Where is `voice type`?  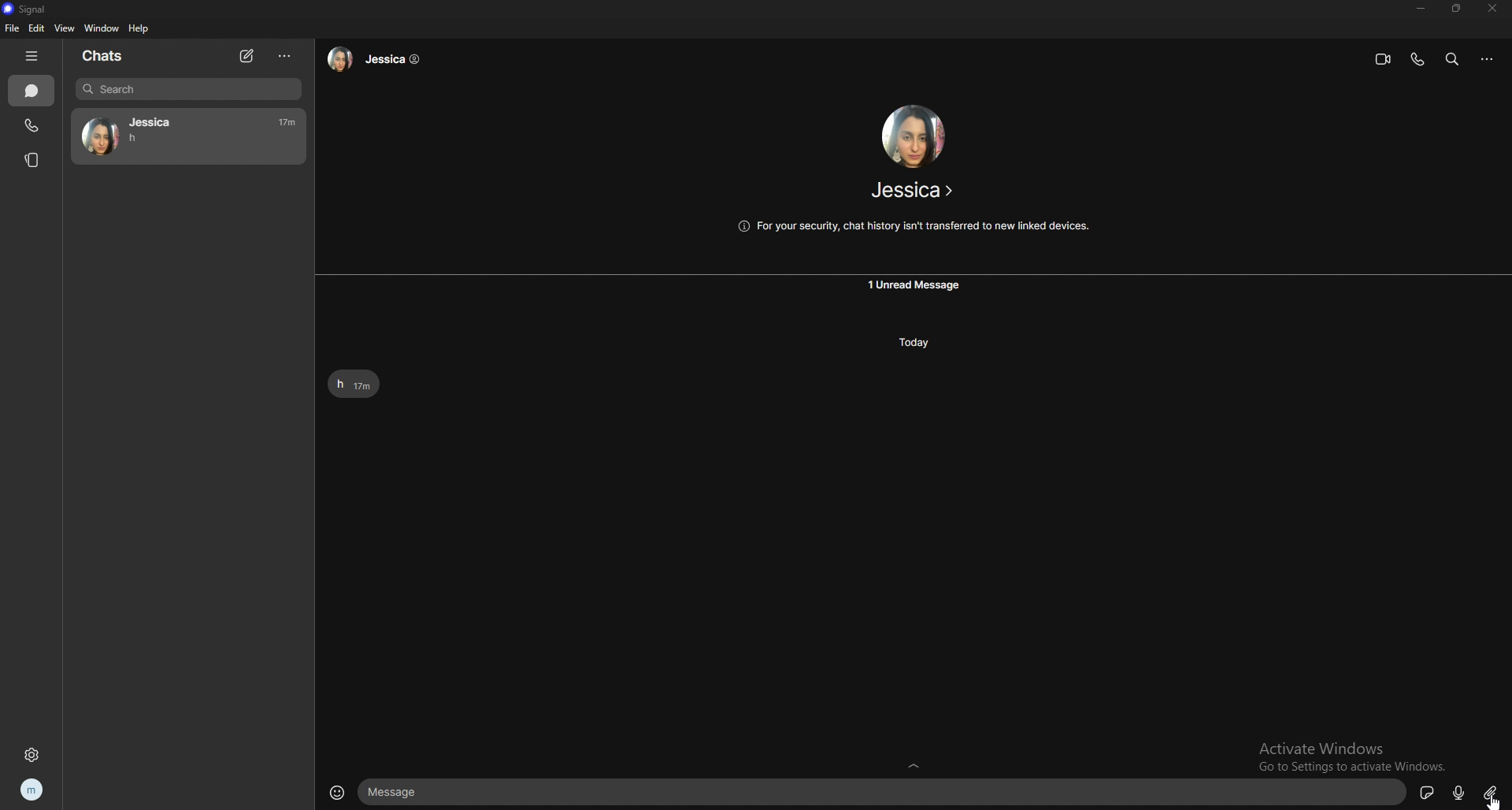
voice type is located at coordinates (1459, 793).